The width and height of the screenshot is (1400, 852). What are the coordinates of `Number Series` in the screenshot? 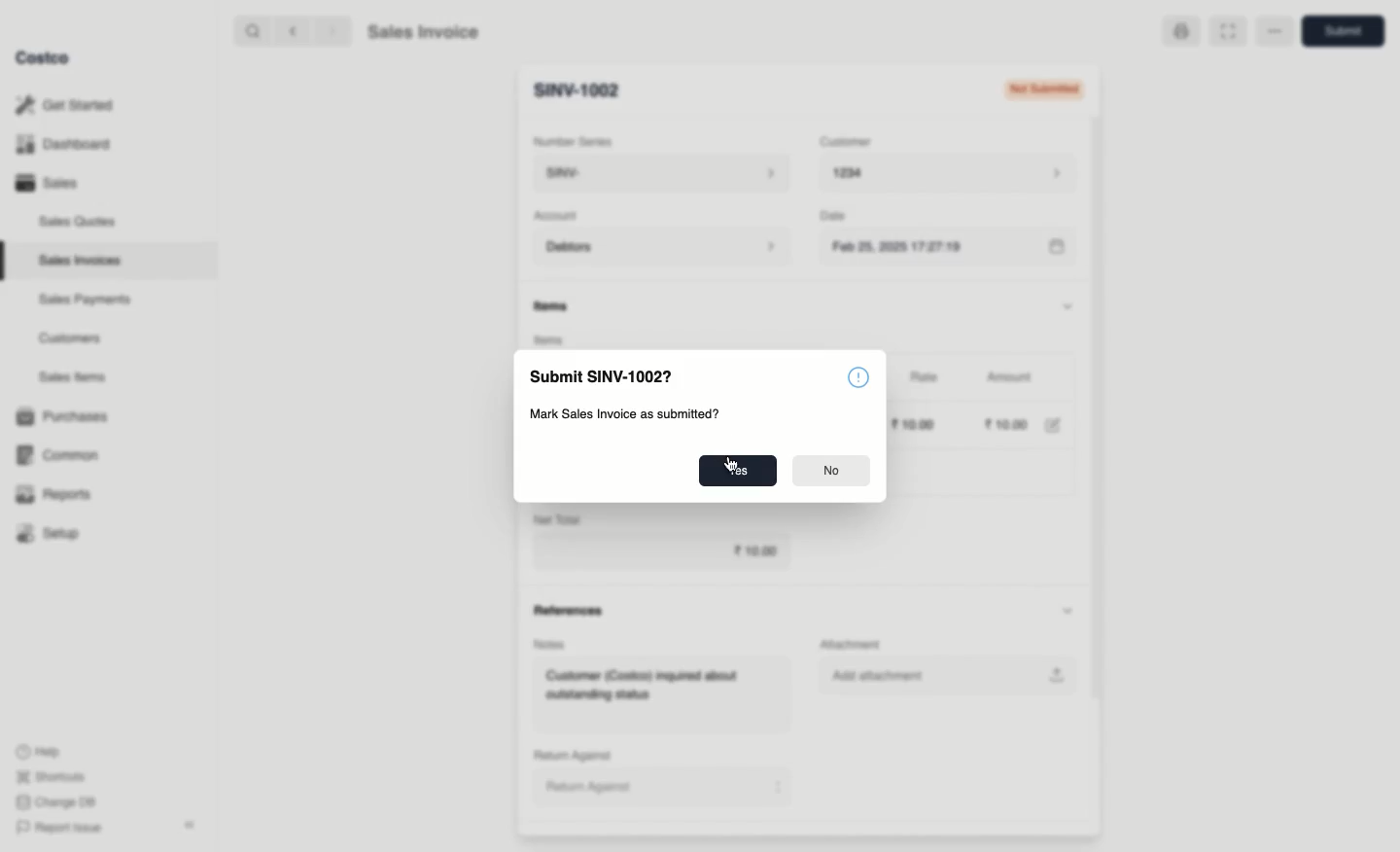 It's located at (574, 141).